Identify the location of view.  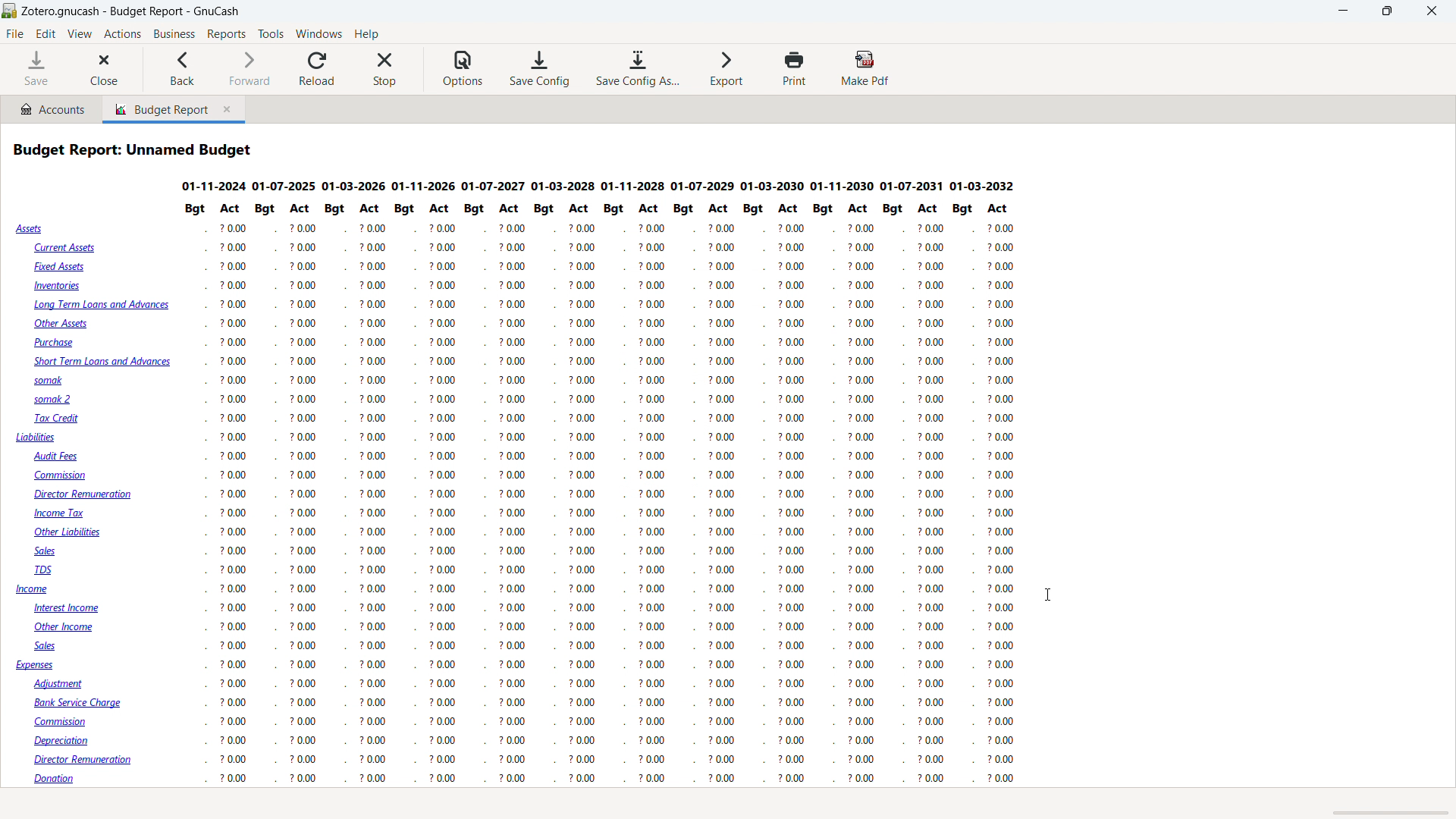
(80, 34).